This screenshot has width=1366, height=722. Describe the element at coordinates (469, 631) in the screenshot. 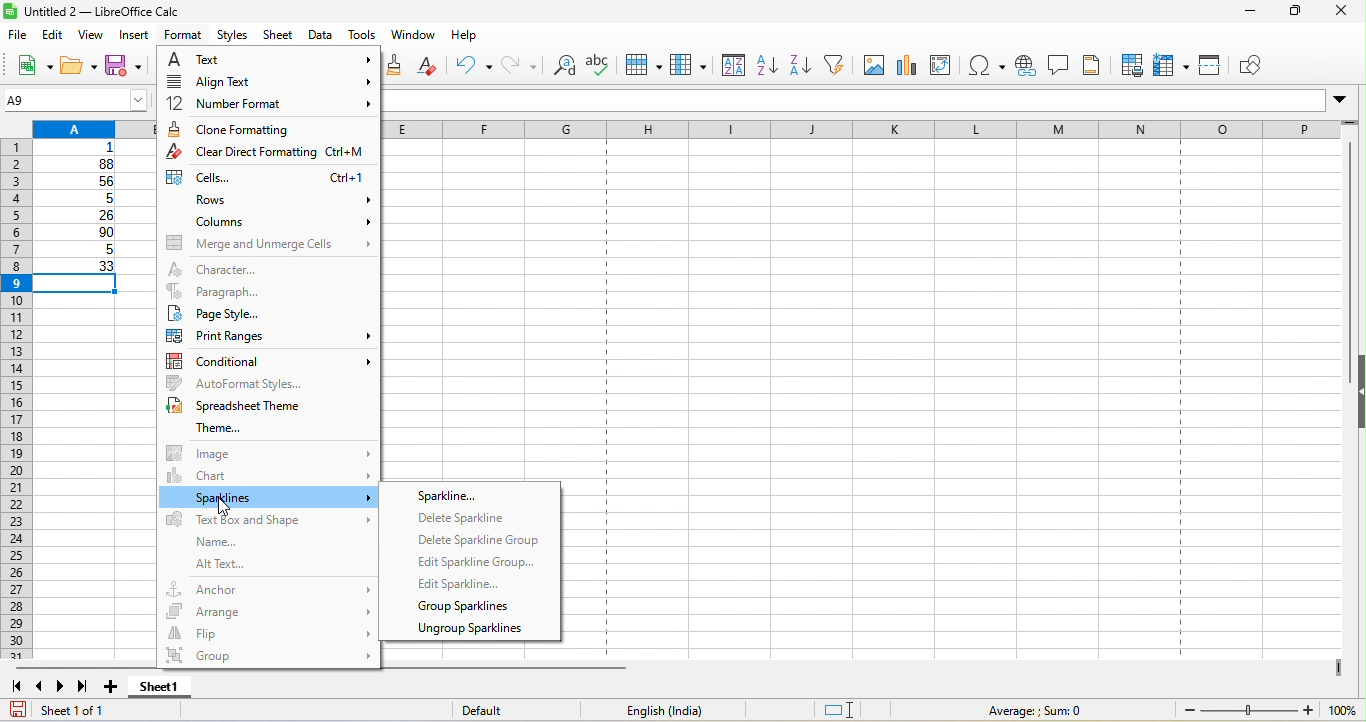

I see `ungroup sparklines` at that location.